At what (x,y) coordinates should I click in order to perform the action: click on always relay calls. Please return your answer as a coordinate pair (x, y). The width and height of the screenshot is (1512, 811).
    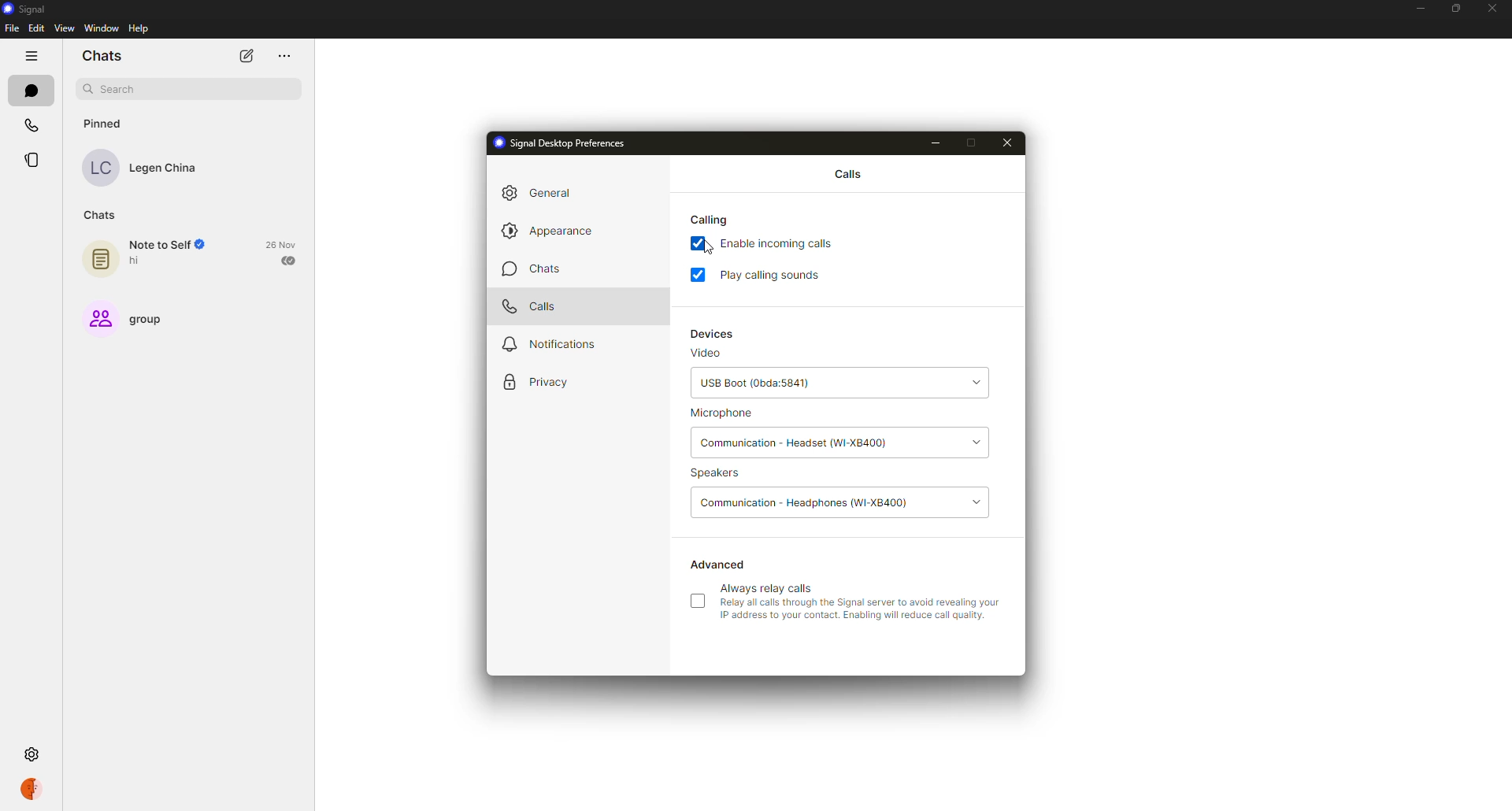
    Looking at the image, I should click on (857, 602).